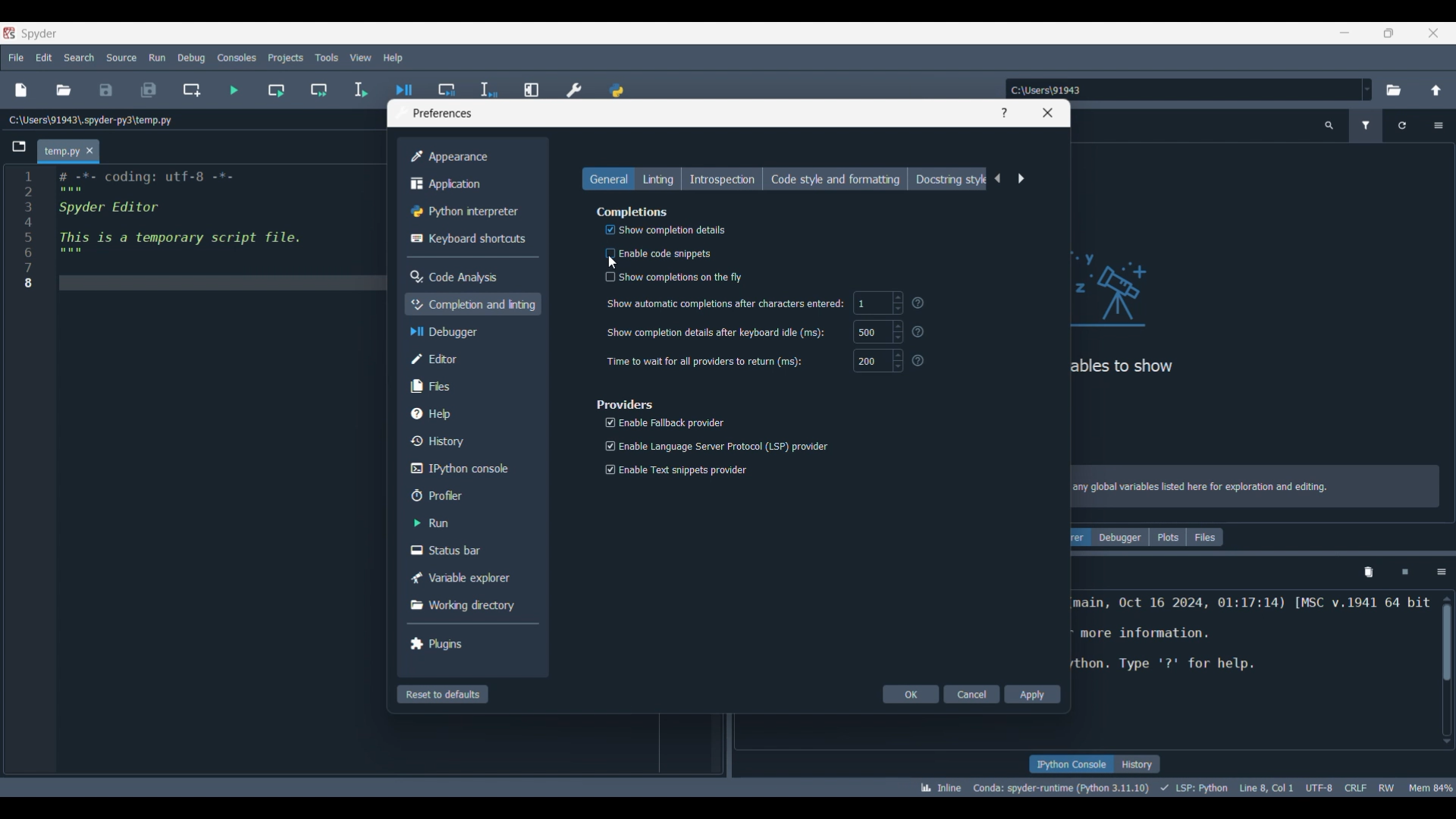 This screenshot has height=819, width=1456. I want to click on Show in smaller tab, so click(1389, 33).